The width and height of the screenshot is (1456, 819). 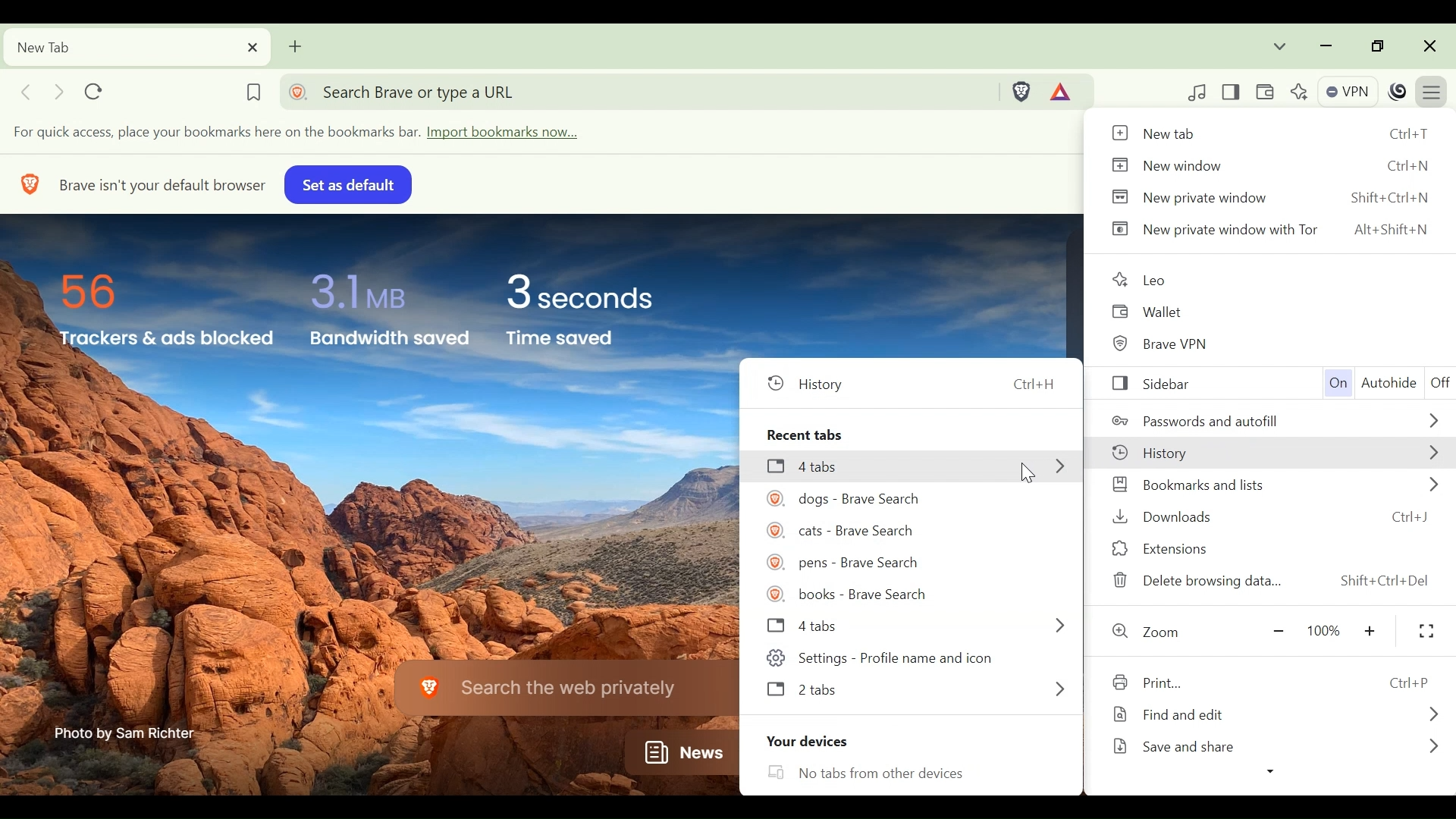 I want to click on Passwords and autofill, so click(x=1279, y=421).